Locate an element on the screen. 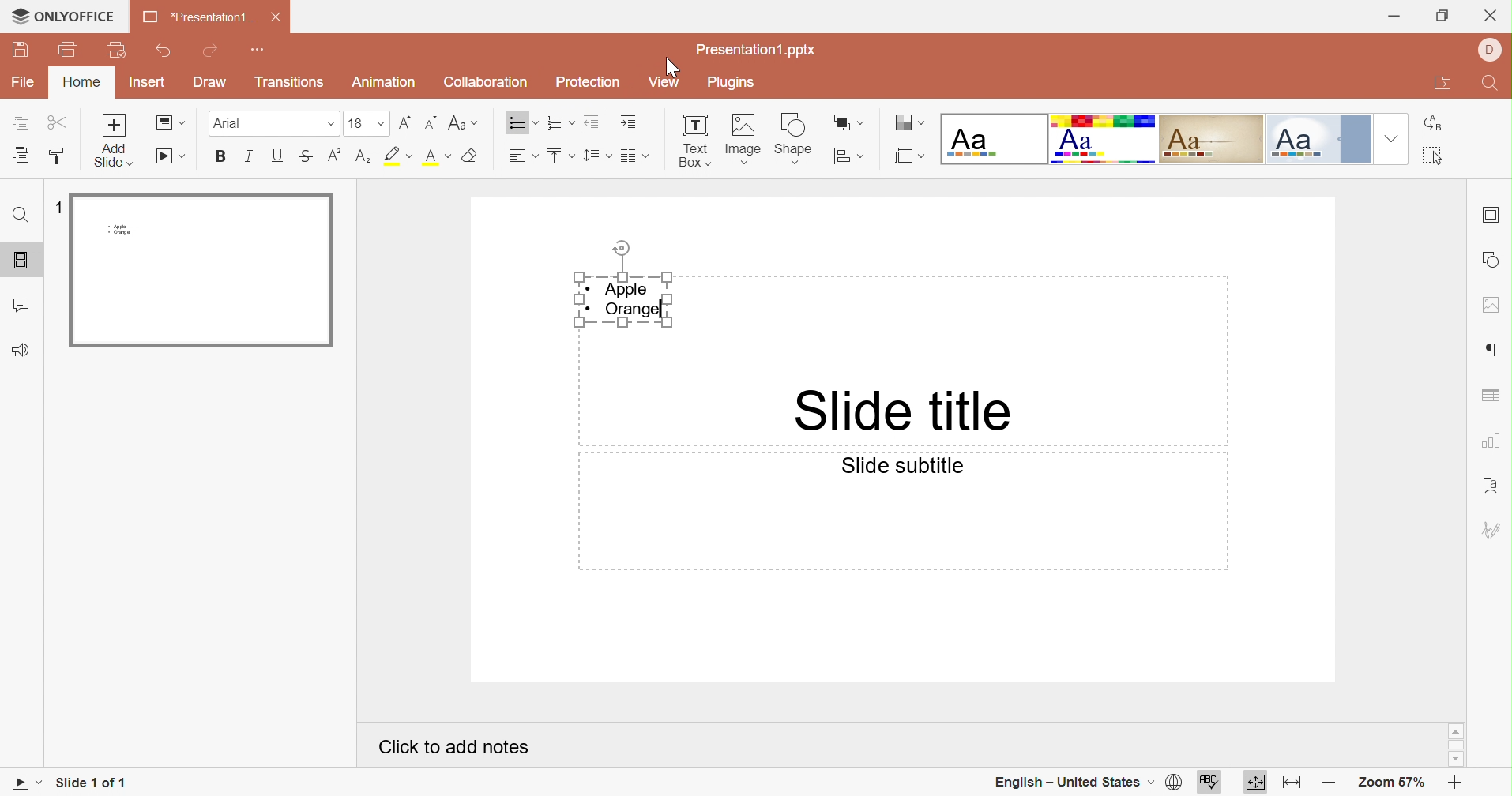 The image size is (1512, 796). Zoom 57% is located at coordinates (1390, 783).